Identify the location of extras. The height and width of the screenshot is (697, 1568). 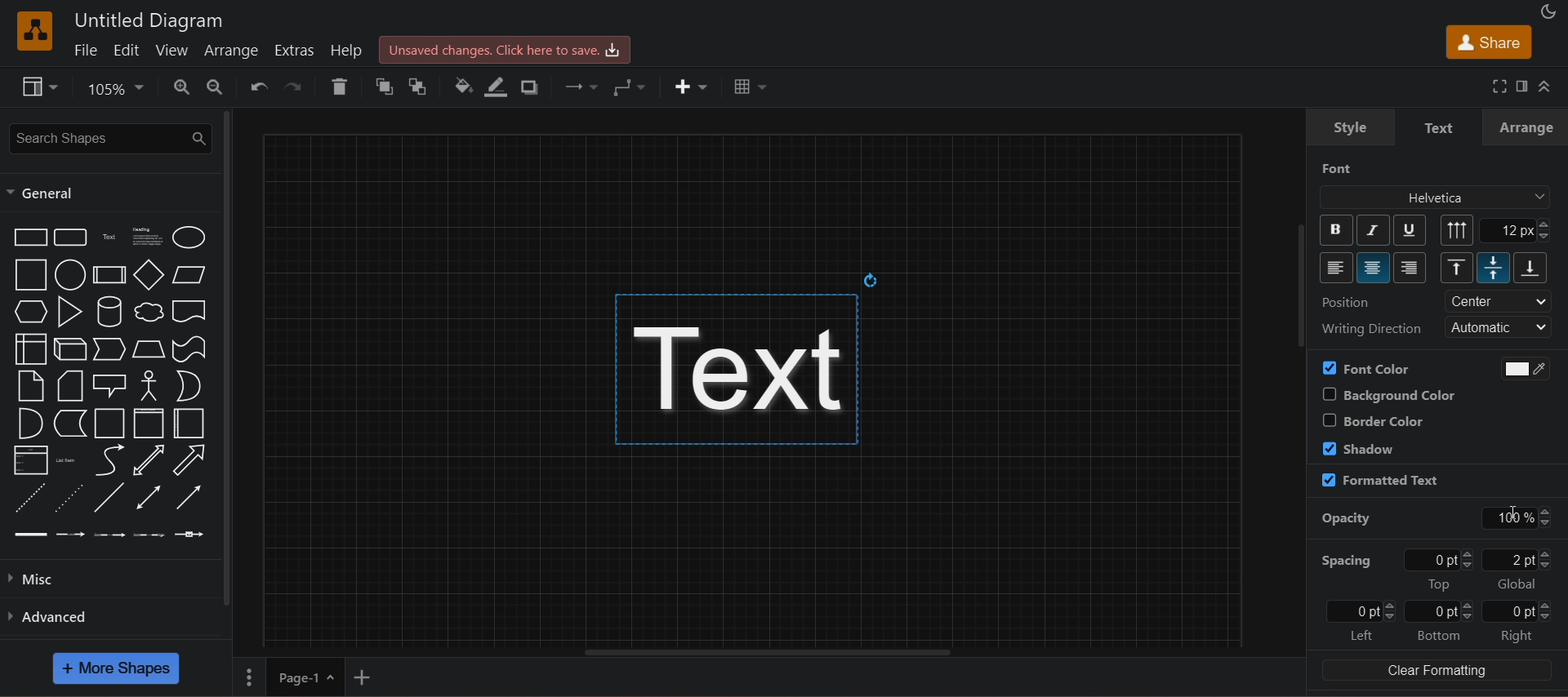
(292, 49).